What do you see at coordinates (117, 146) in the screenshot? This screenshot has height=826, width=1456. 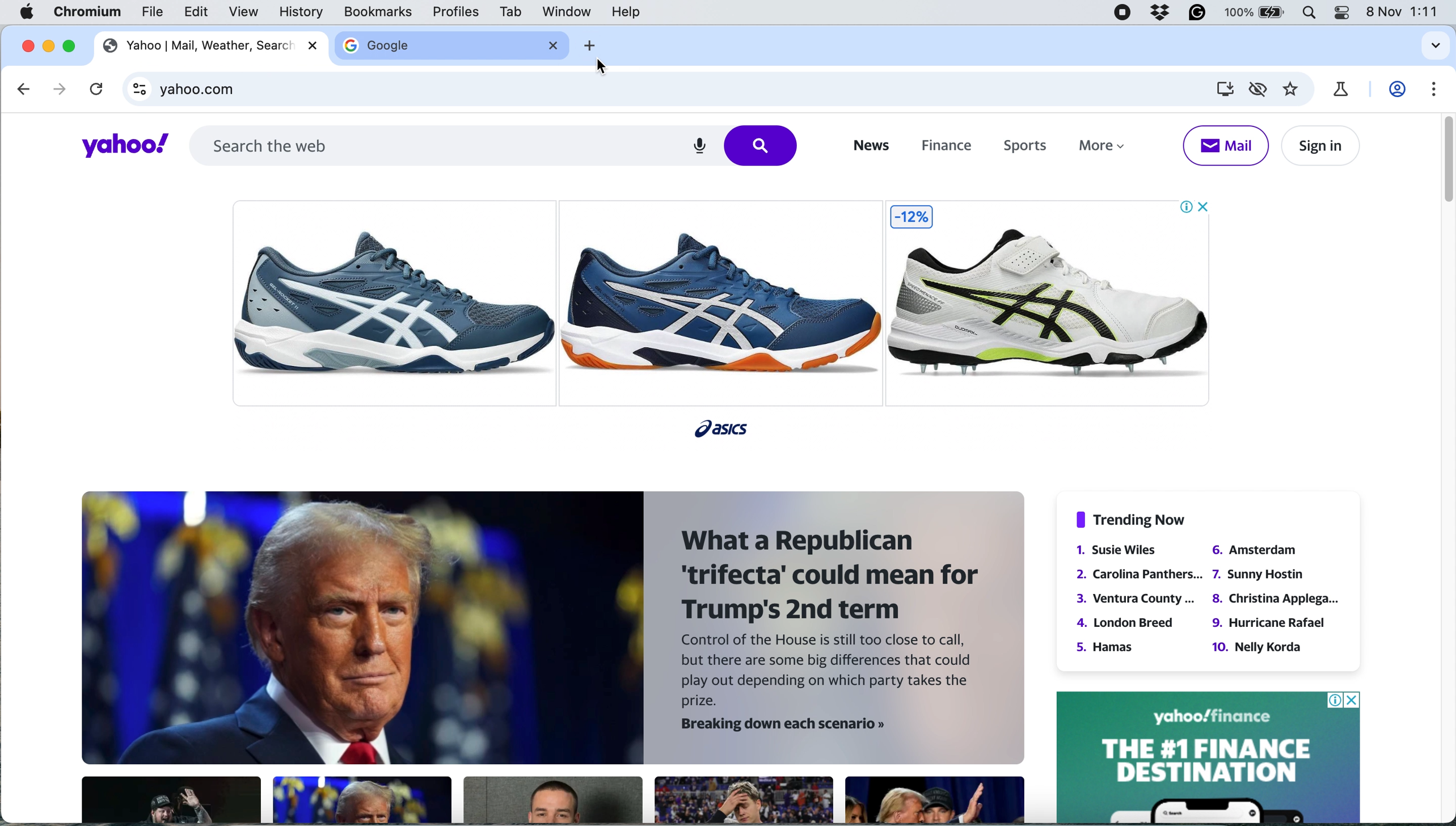 I see `yahoo!` at bounding box center [117, 146].